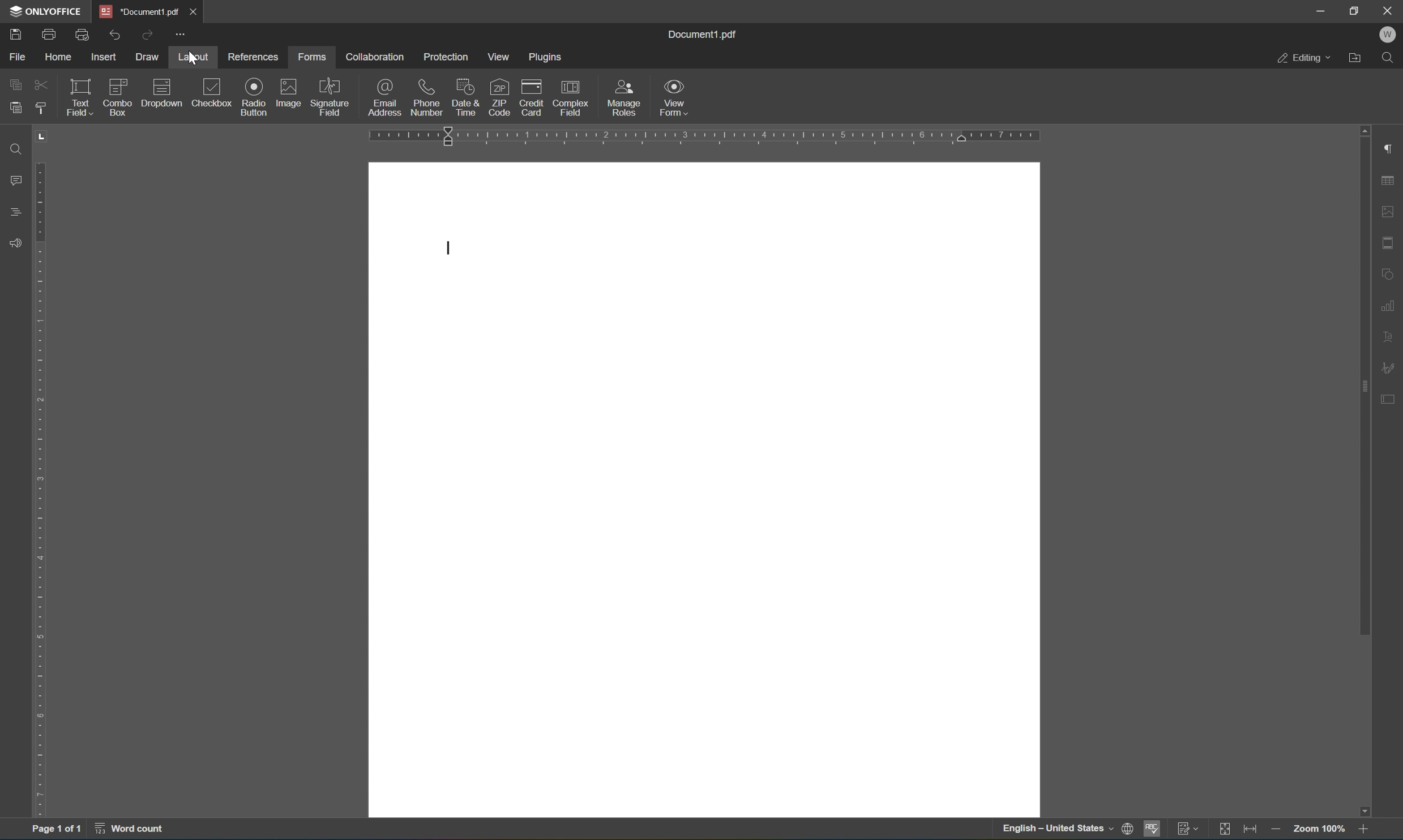  Describe the element at coordinates (1362, 830) in the screenshot. I see `zoom in` at that location.